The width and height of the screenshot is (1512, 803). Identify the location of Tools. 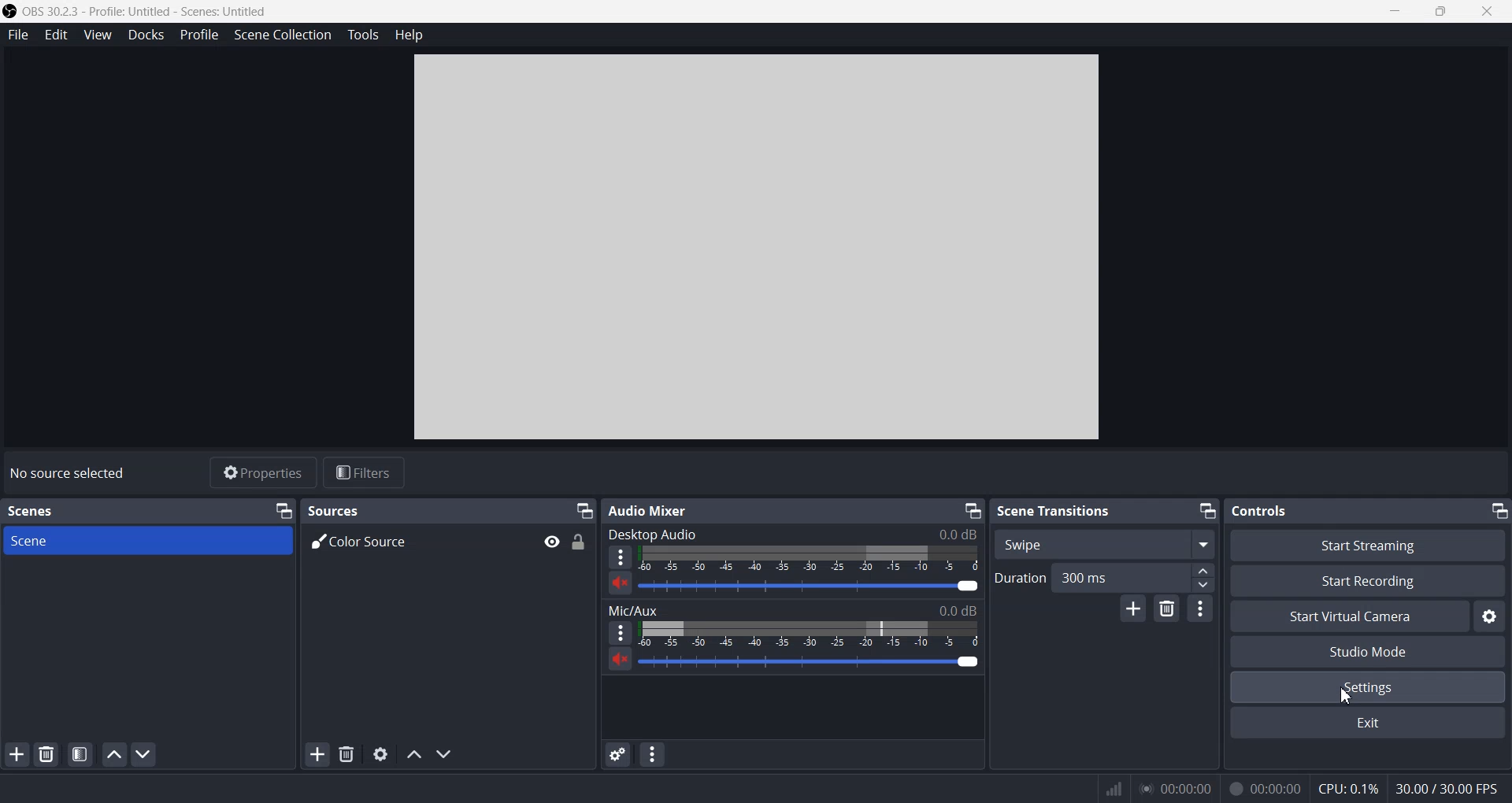
(363, 35).